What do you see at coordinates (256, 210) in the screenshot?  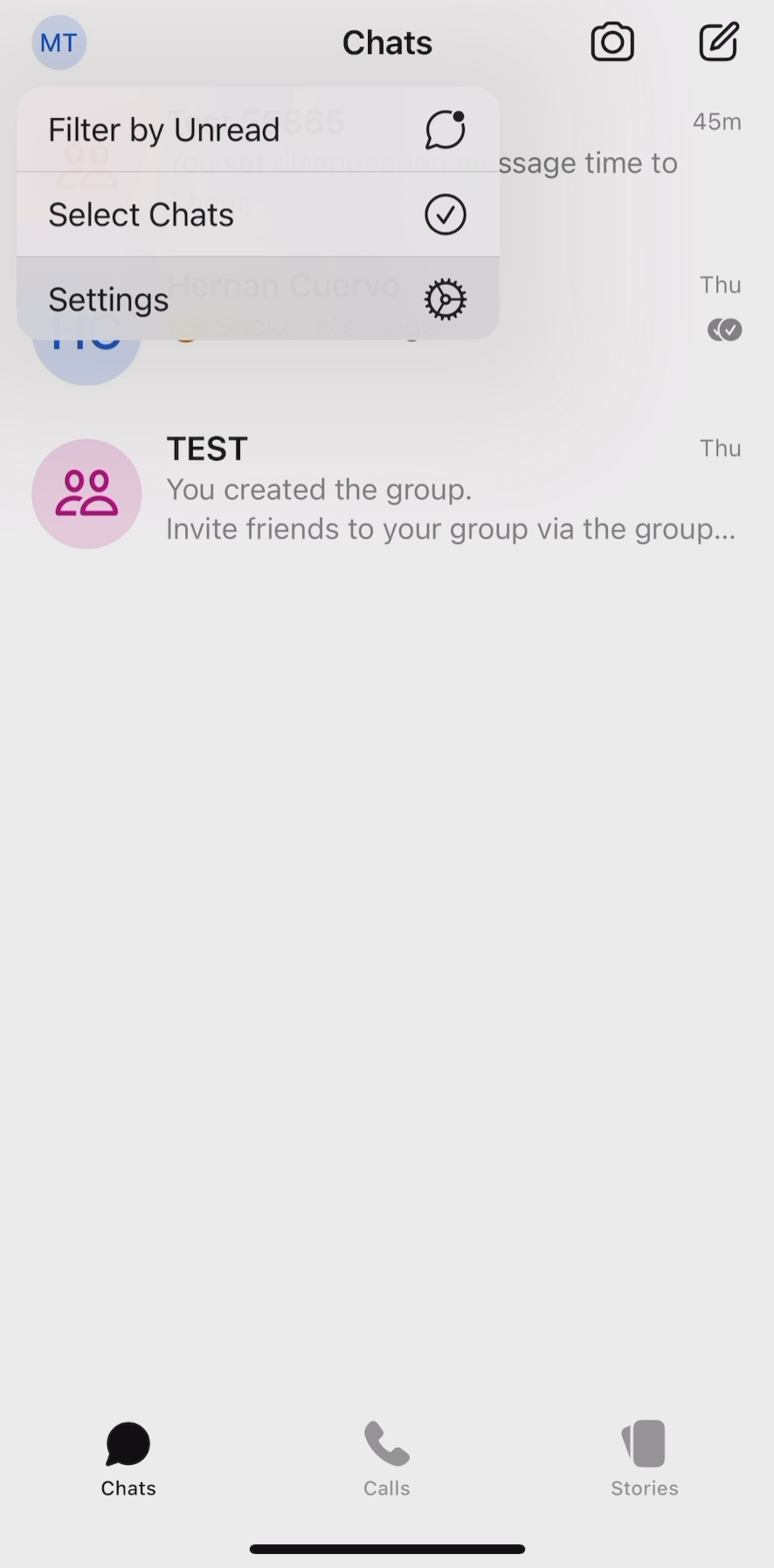 I see `select chats` at bounding box center [256, 210].